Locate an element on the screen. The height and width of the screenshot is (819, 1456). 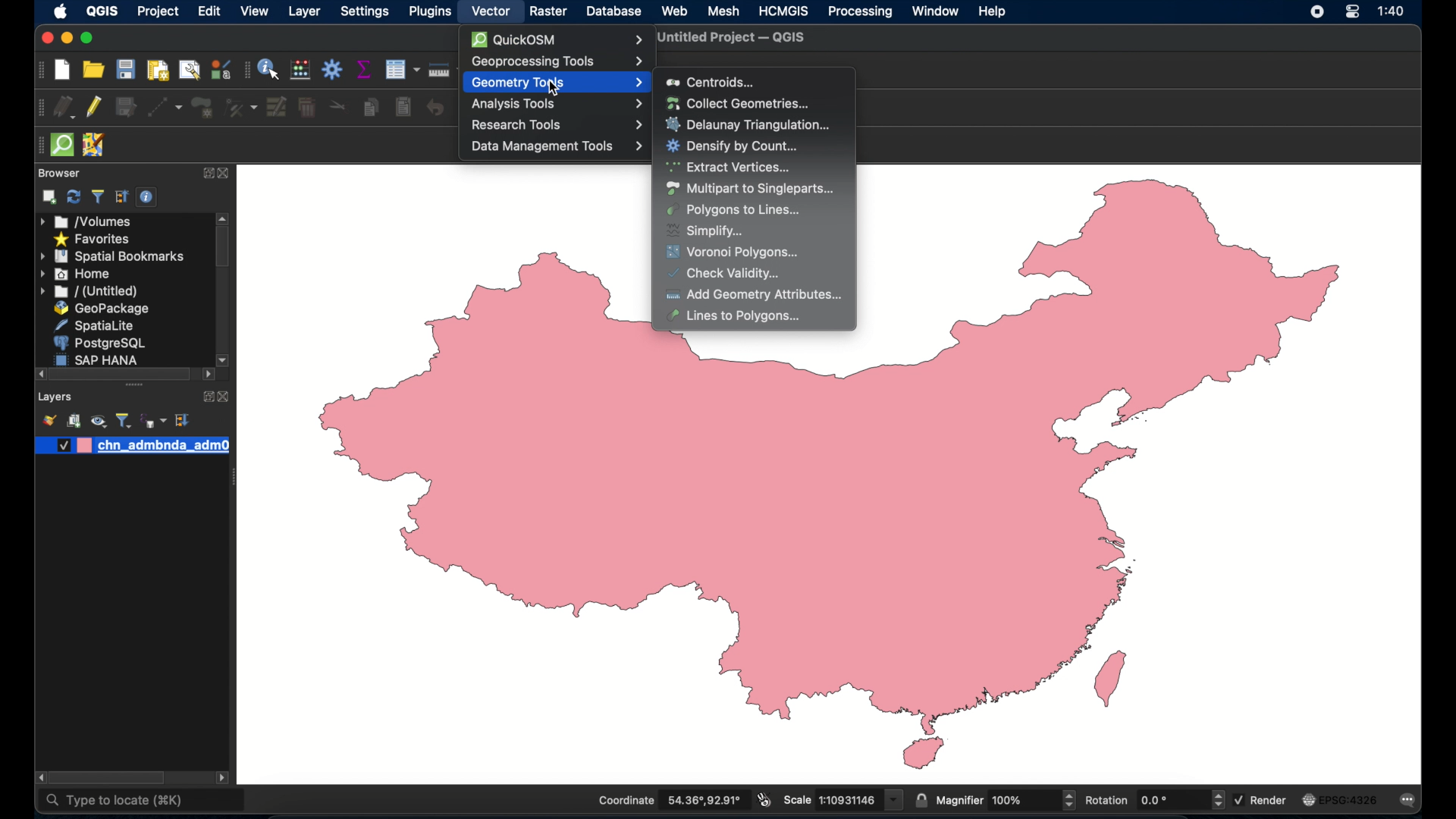
vector selected is located at coordinates (489, 11).